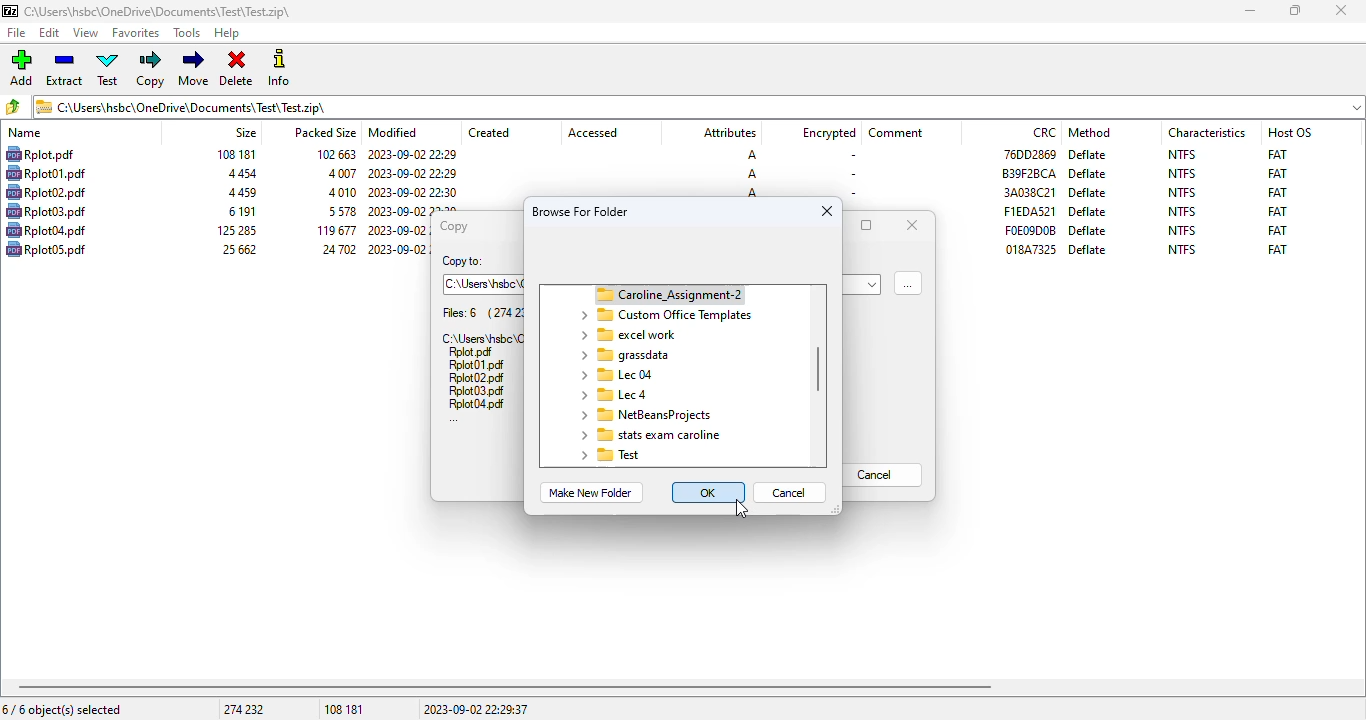 The width and height of the screenshot is (1366, 720). Describe the element at coordinates (482, 313) in the screenshot. I see `files: 6 (274 232 bytes)` at that location.